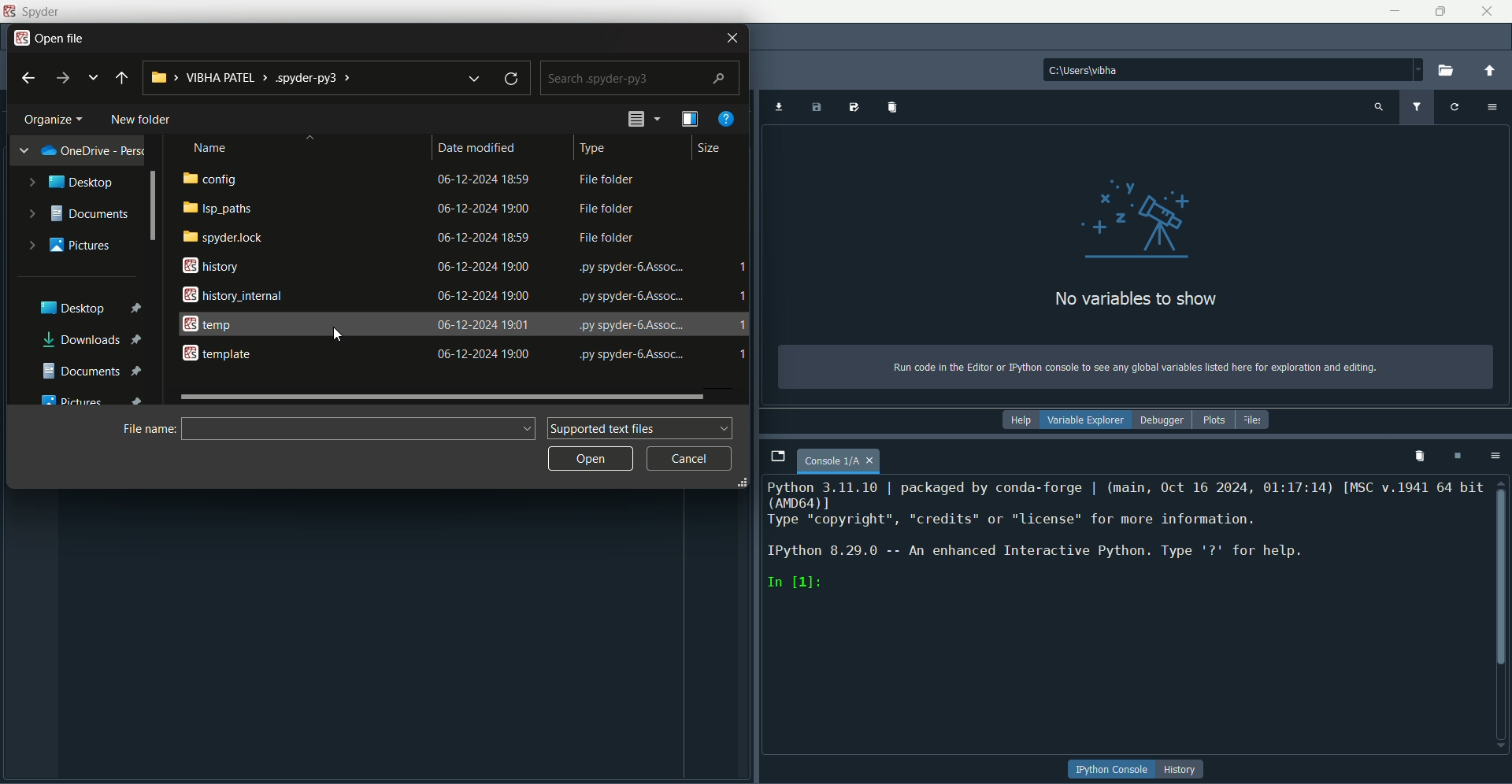 The height and width of the screenshot is (784, 1512). What do you see at coordinates (338, 338) in the screenshot?
I see `Cursor` at bounding box center [338, 338].